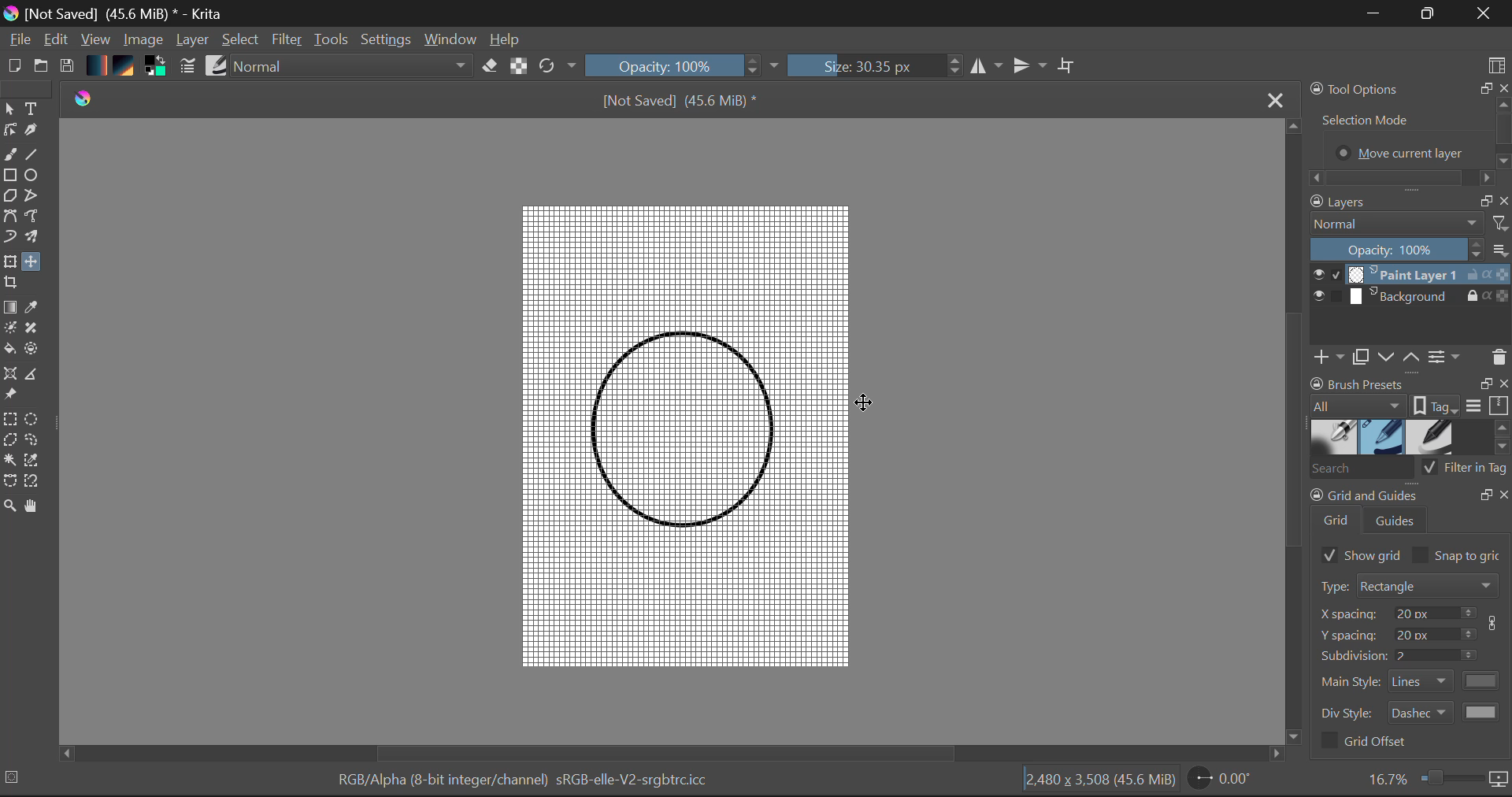 Image resolution: width=1512 pixels, height=797 pixels. I want to click on Grid and Guides Docker, so click(1409, 511).